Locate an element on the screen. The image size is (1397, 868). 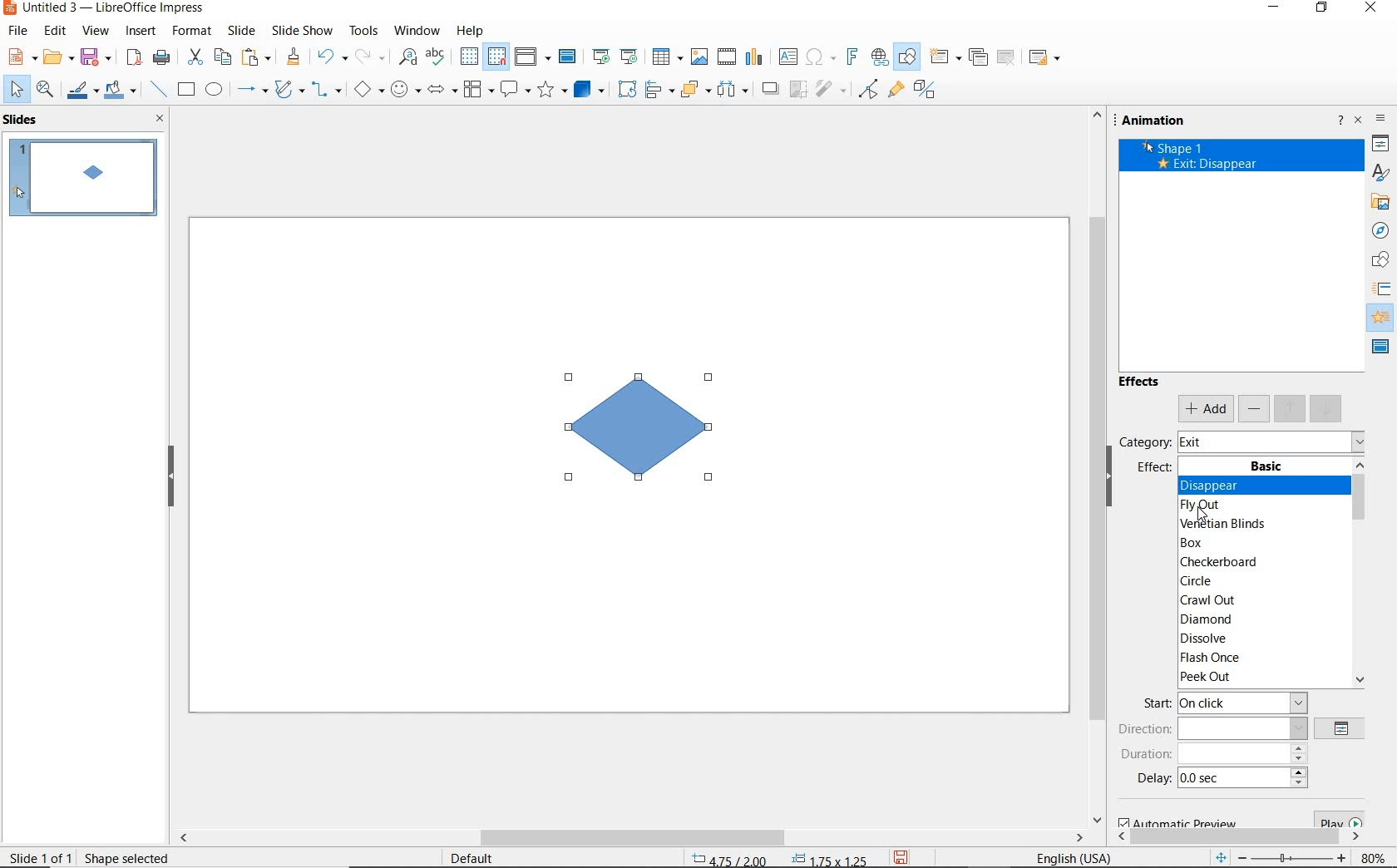
close is located at coordinates (161, 121).